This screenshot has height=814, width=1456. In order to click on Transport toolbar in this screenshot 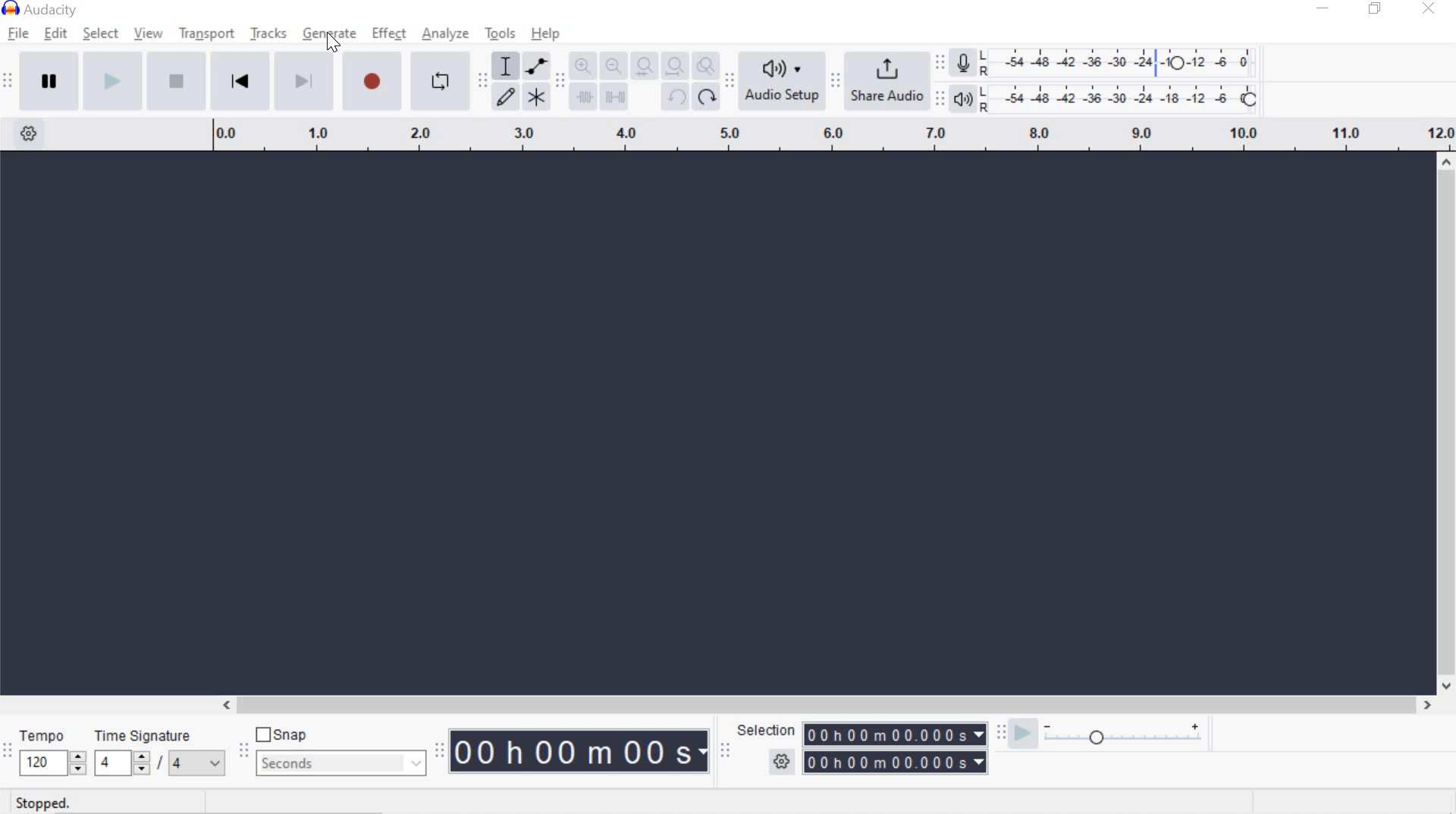, I will do `click(8, 82)`.